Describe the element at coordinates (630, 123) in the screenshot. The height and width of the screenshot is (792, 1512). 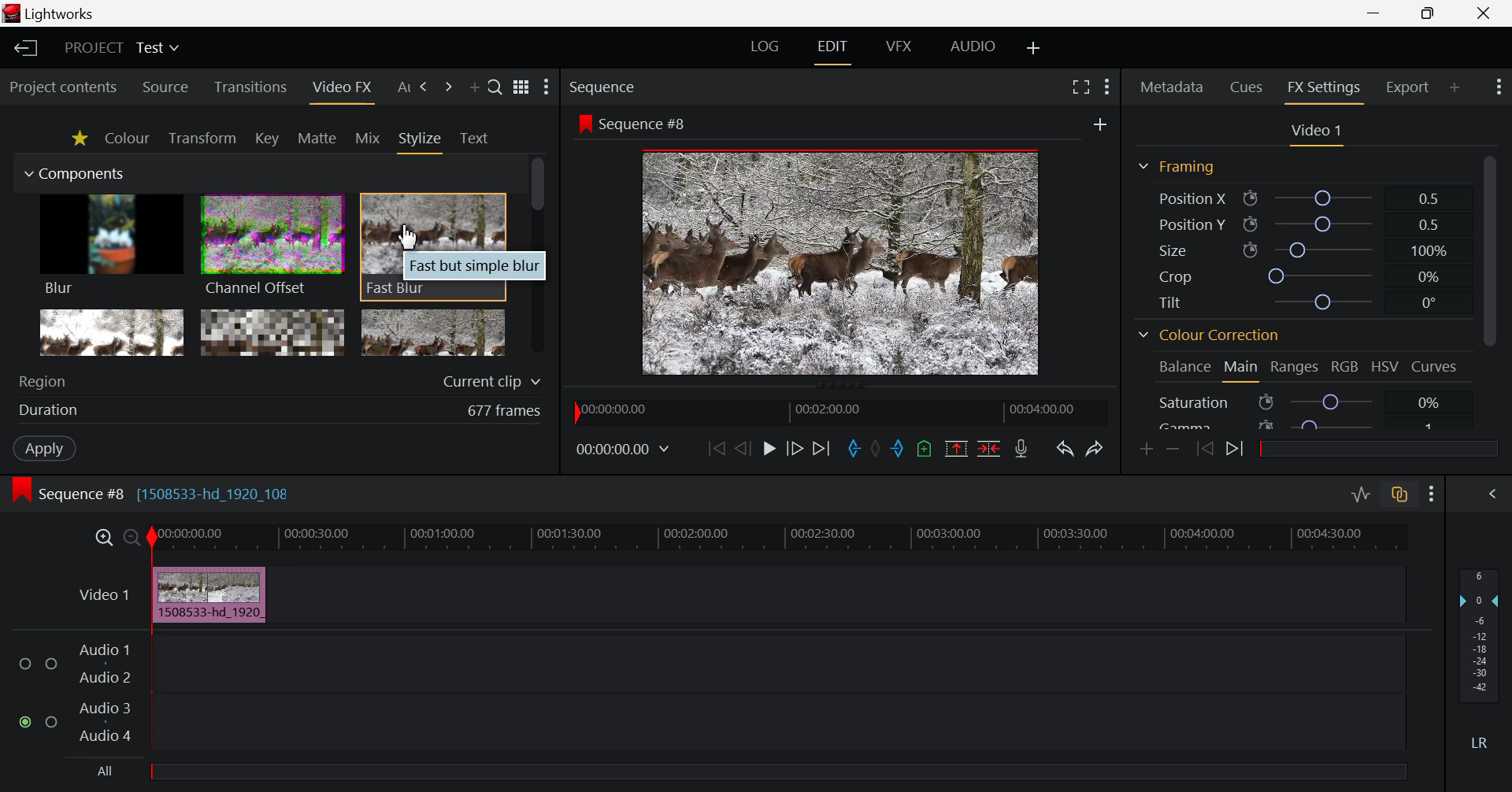
I see `Sequence #8` at that location.